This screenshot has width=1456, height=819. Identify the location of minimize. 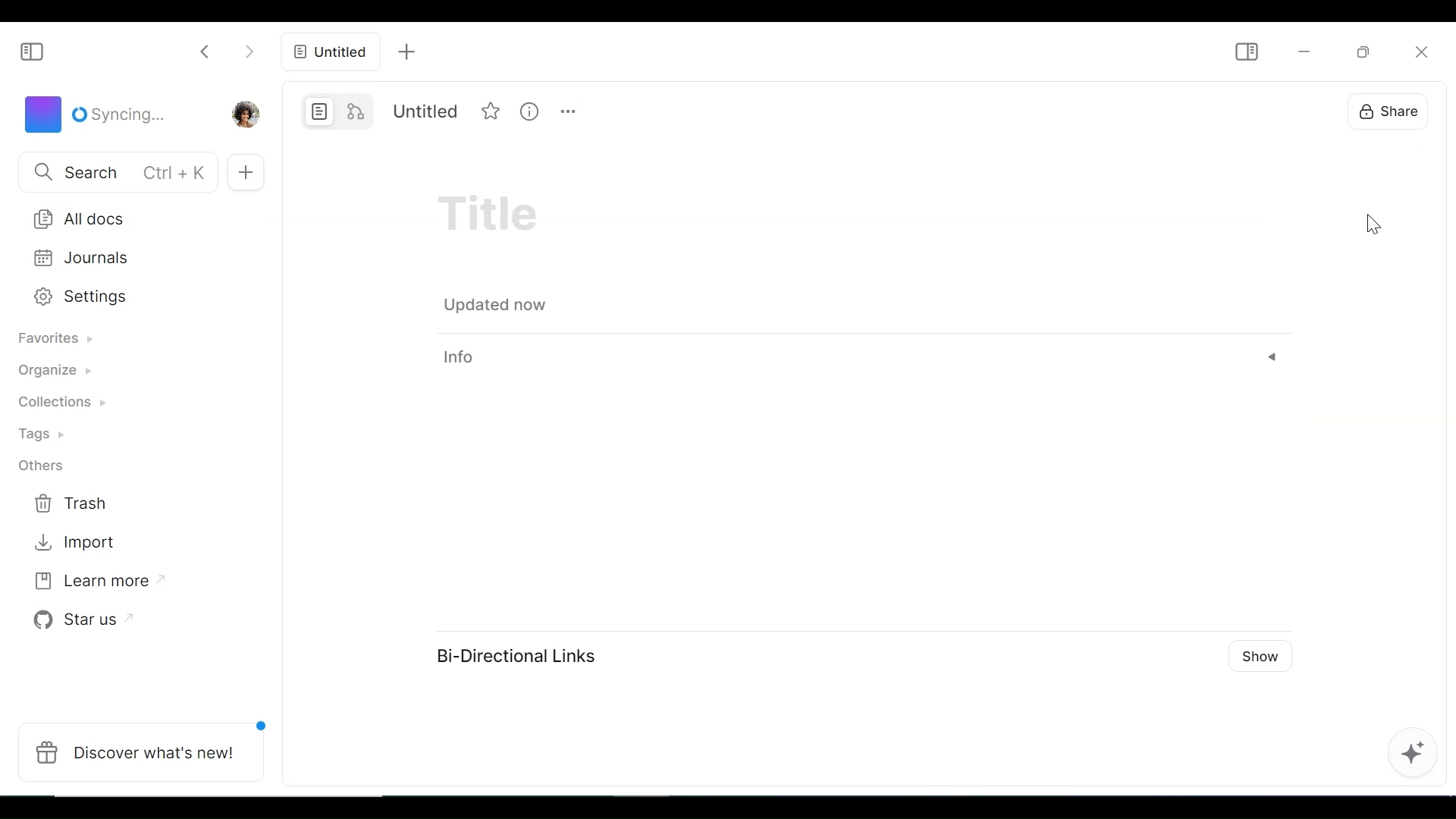
(1304, 50).